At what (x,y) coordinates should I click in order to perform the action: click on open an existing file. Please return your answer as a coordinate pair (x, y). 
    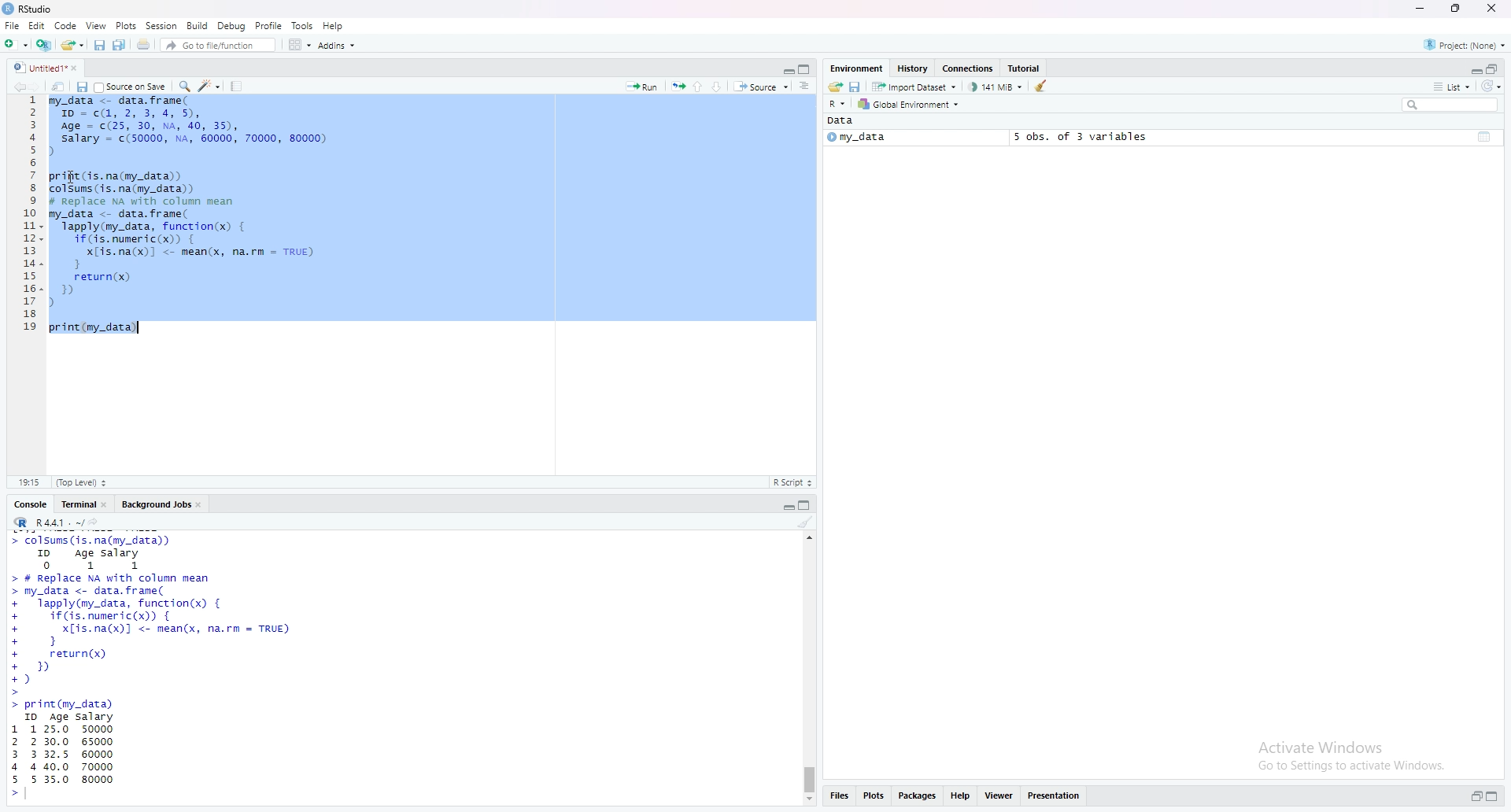
    Looking at the image, I should click on (72, 45).